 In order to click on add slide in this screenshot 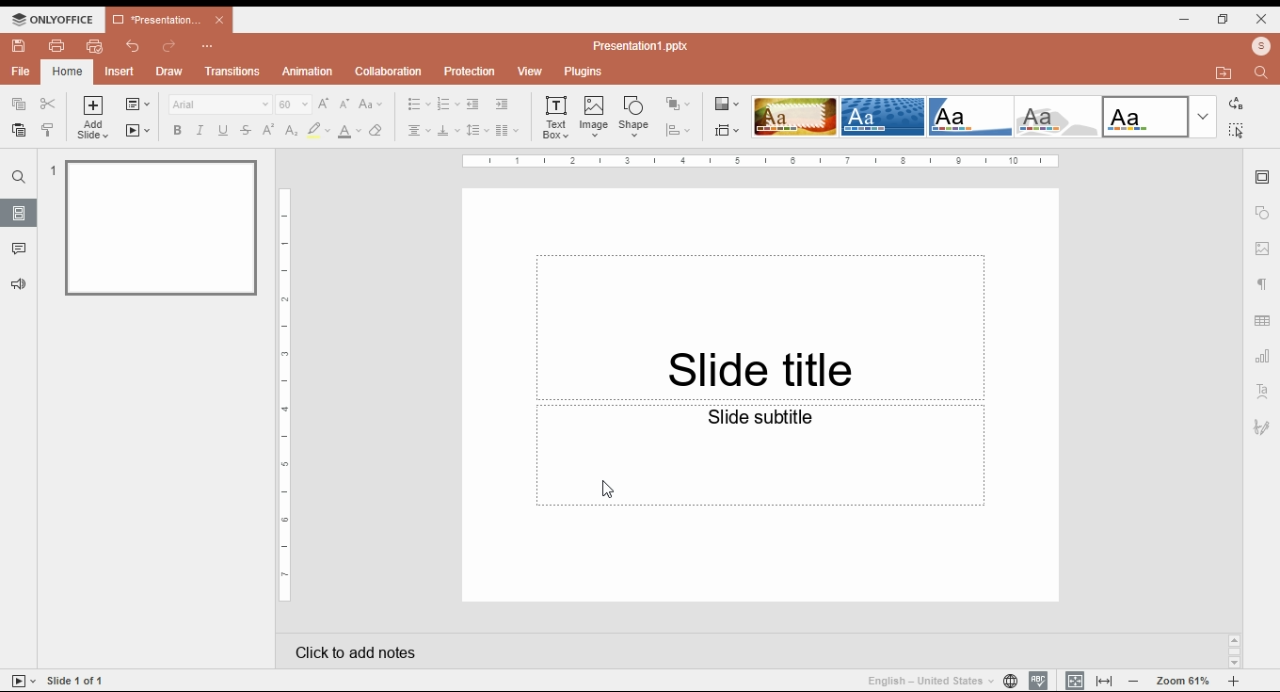, I will do `click(95, 118)`.